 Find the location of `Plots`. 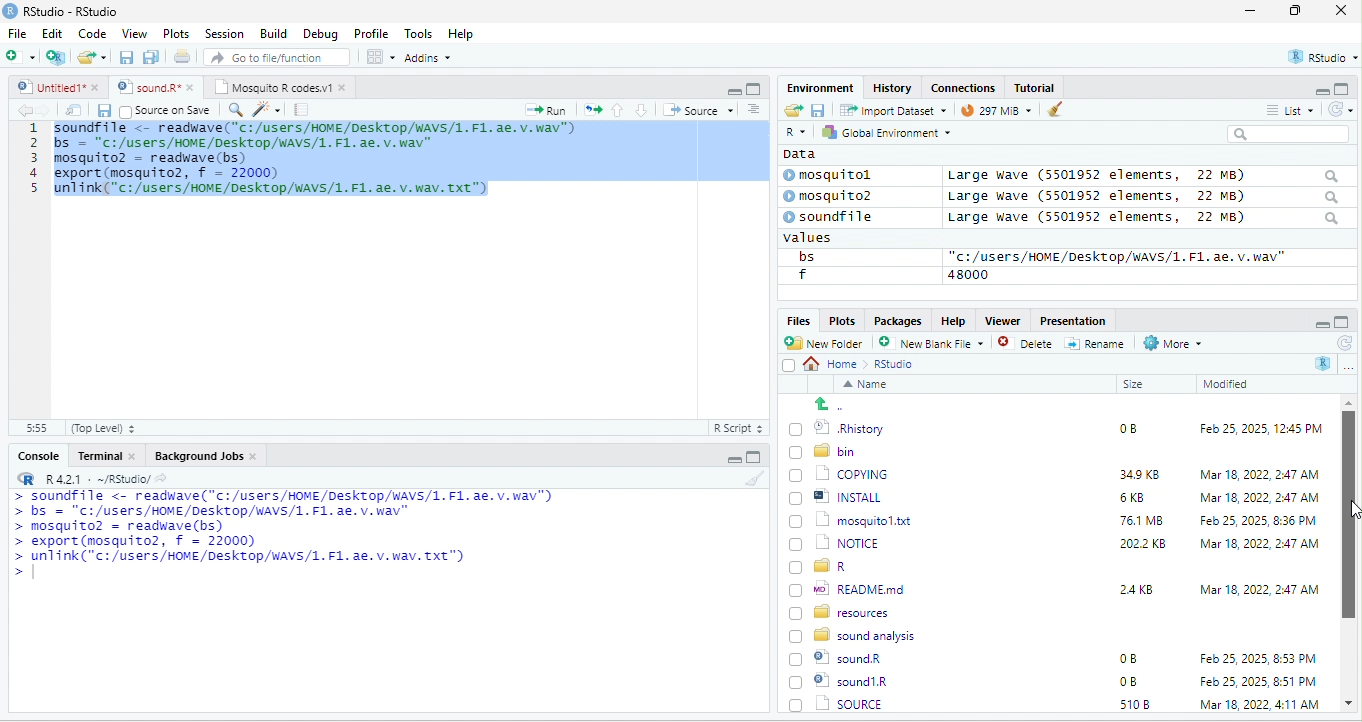

Plots is located at coordinates (177, 33).